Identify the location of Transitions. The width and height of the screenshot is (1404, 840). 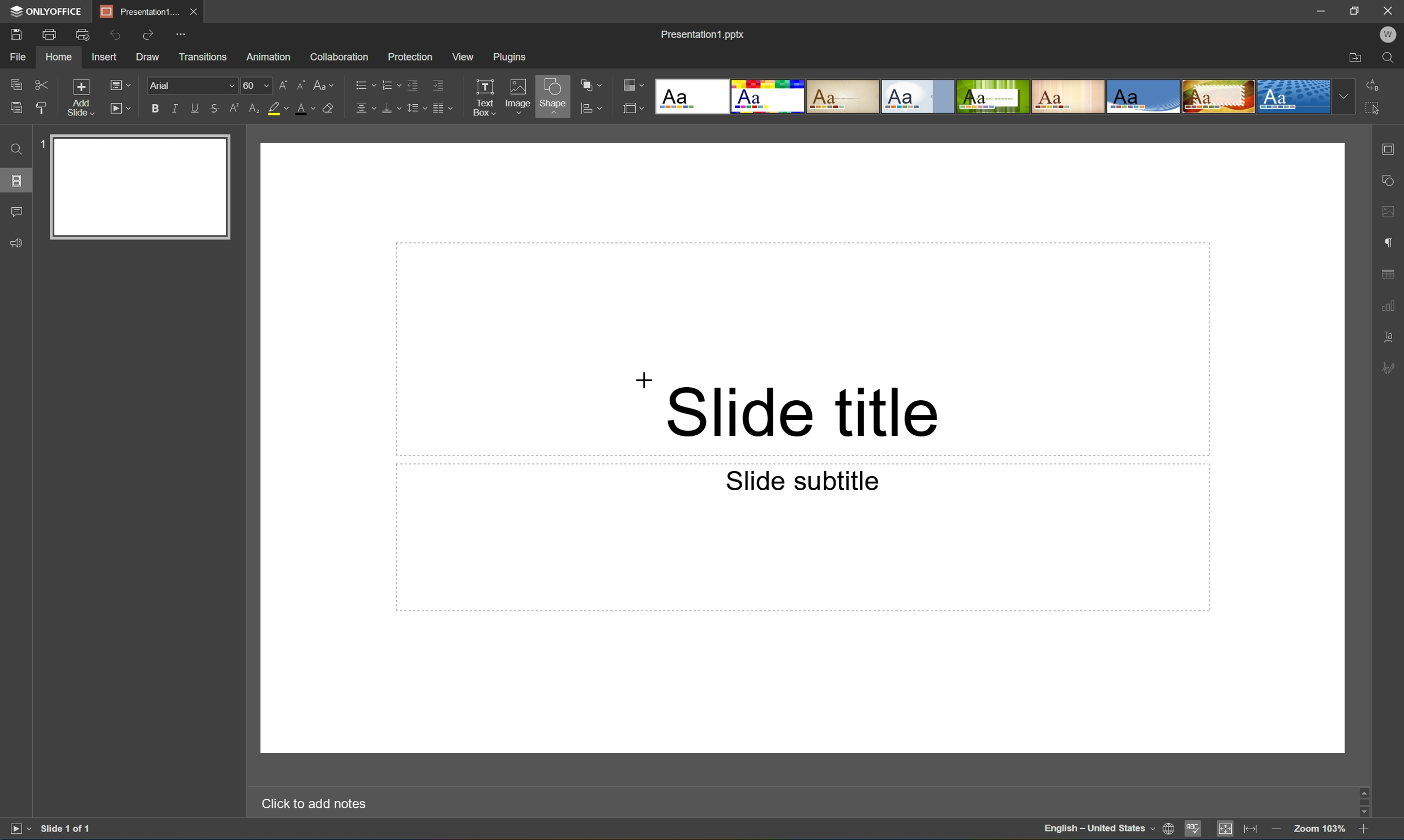
(201, 57).